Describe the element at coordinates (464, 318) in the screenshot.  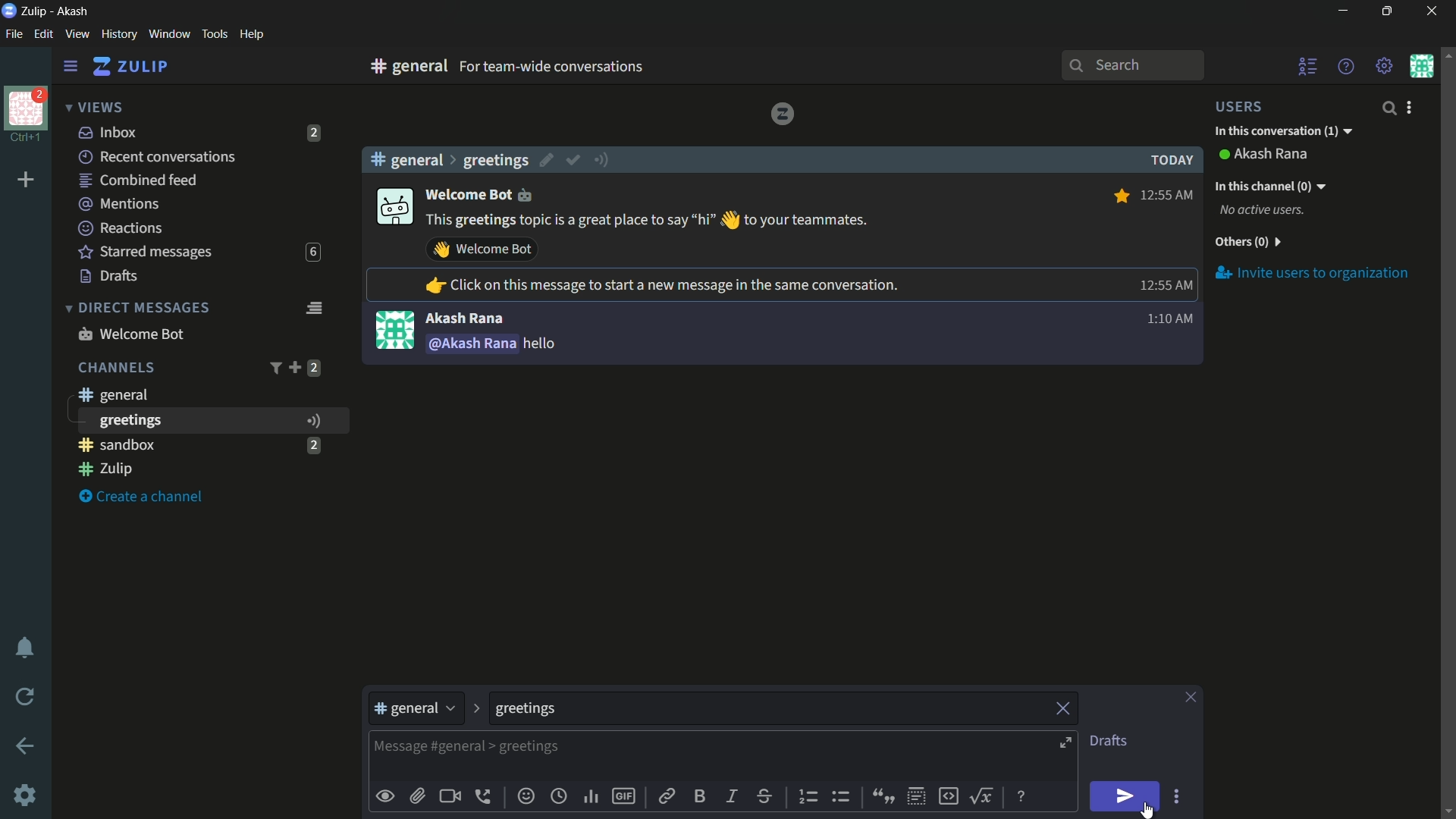
I see `akash rana` at that location.